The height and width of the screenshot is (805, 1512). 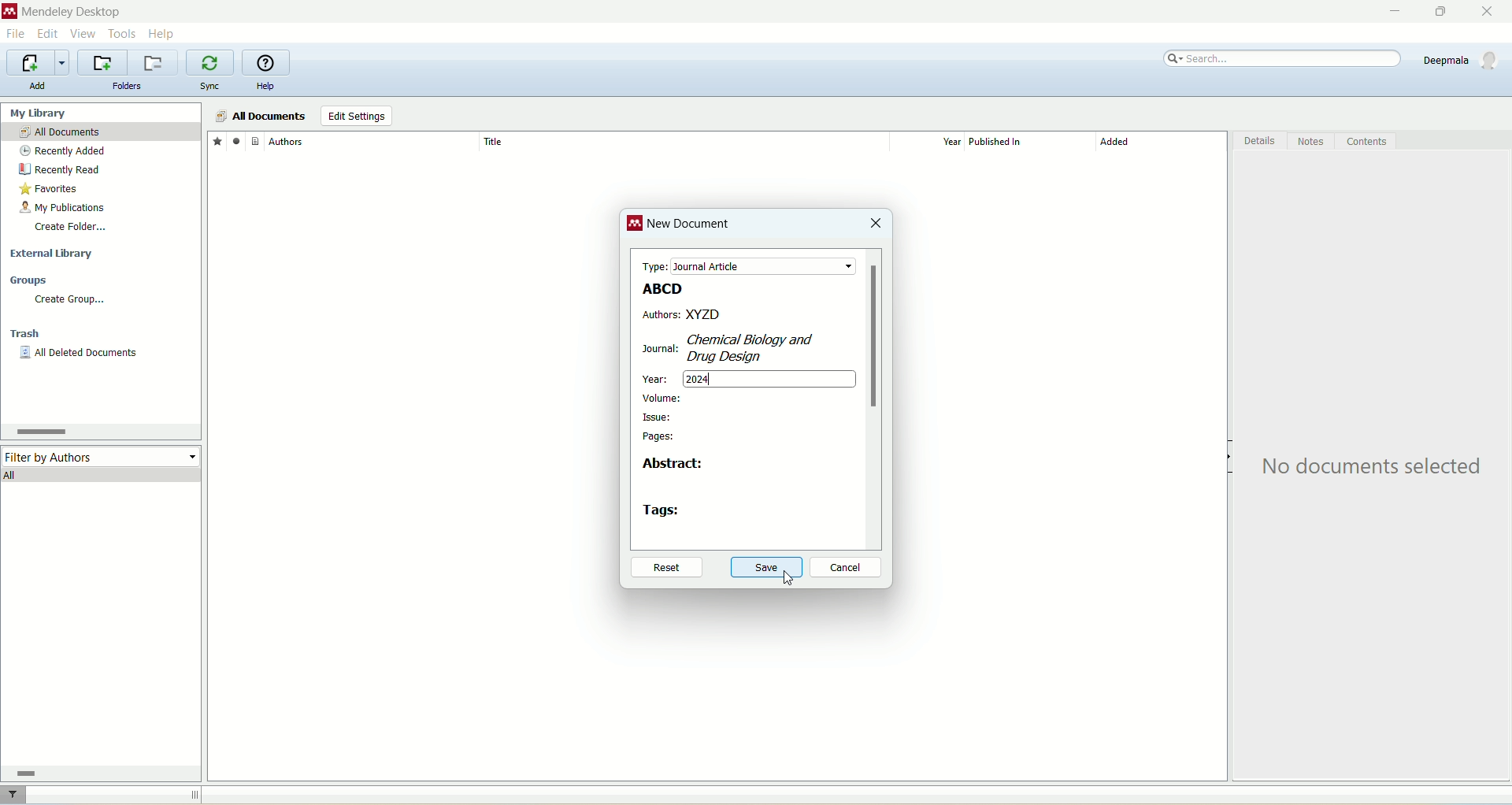 I want to click on all documents, so click(x=260, y=117).